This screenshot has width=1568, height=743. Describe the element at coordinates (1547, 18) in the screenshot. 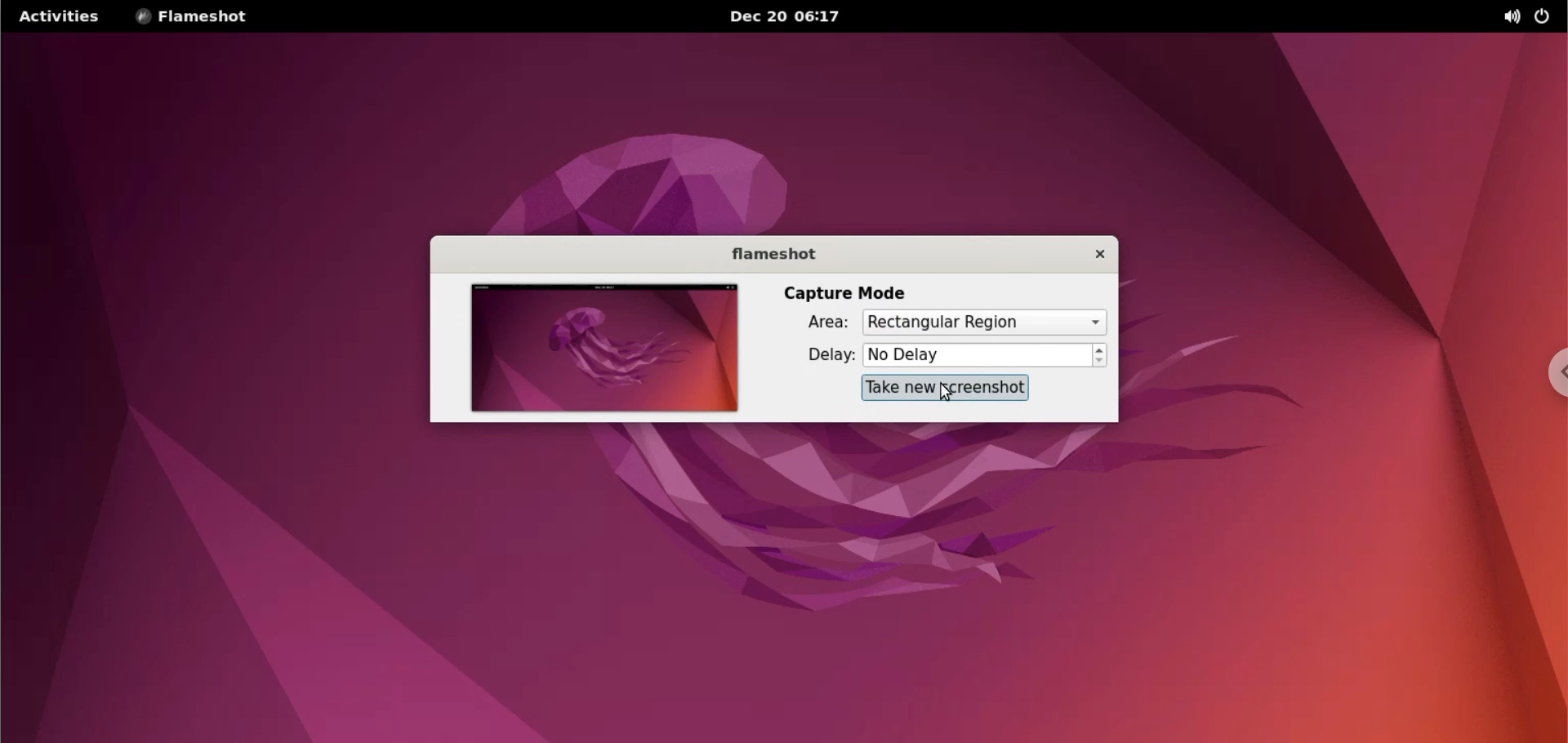

I see `power settings` at that location.